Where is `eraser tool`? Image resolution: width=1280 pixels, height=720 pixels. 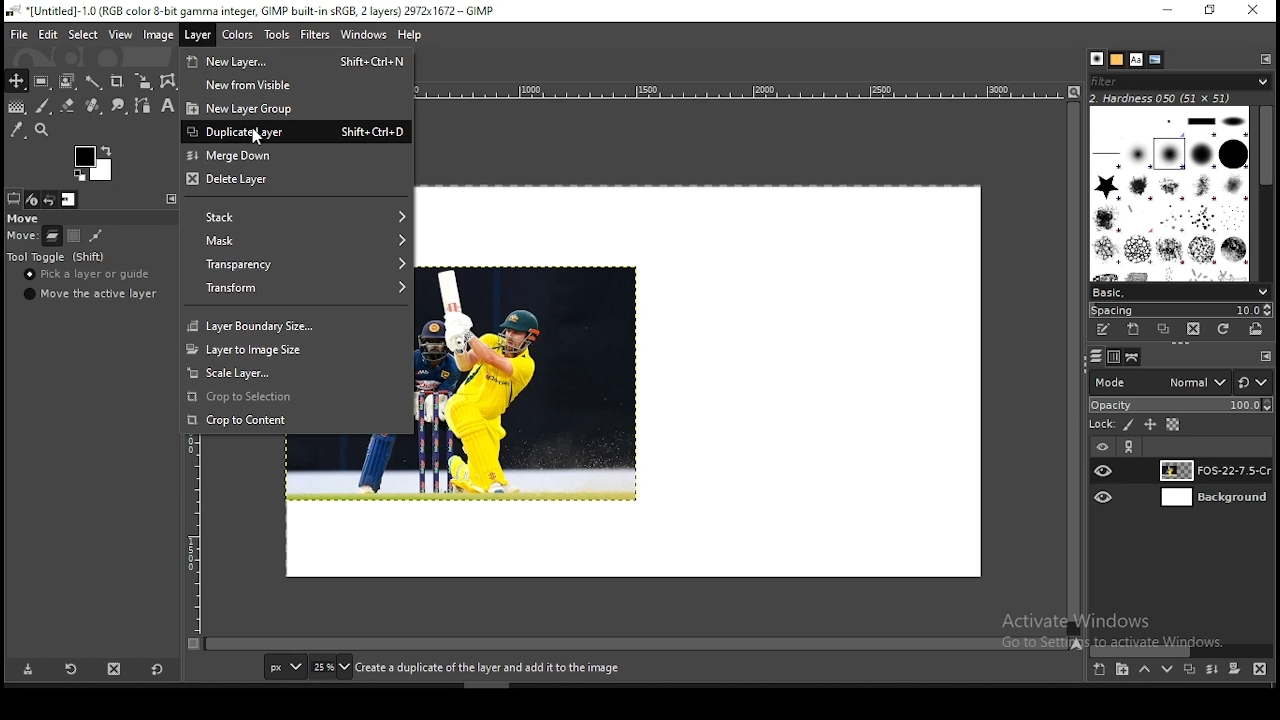
eraser tool is located at coordinates (63, 106).